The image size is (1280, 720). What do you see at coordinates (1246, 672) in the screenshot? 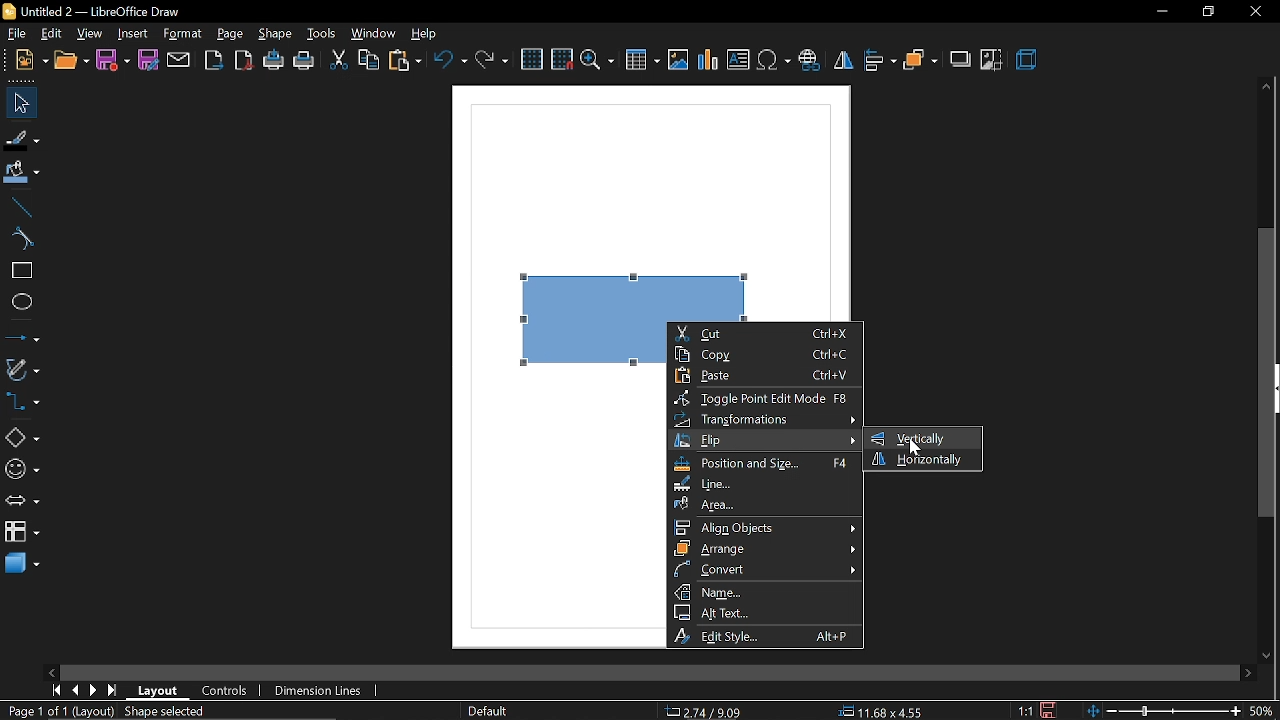
I see `move right` at bounding box center [1246, 672].